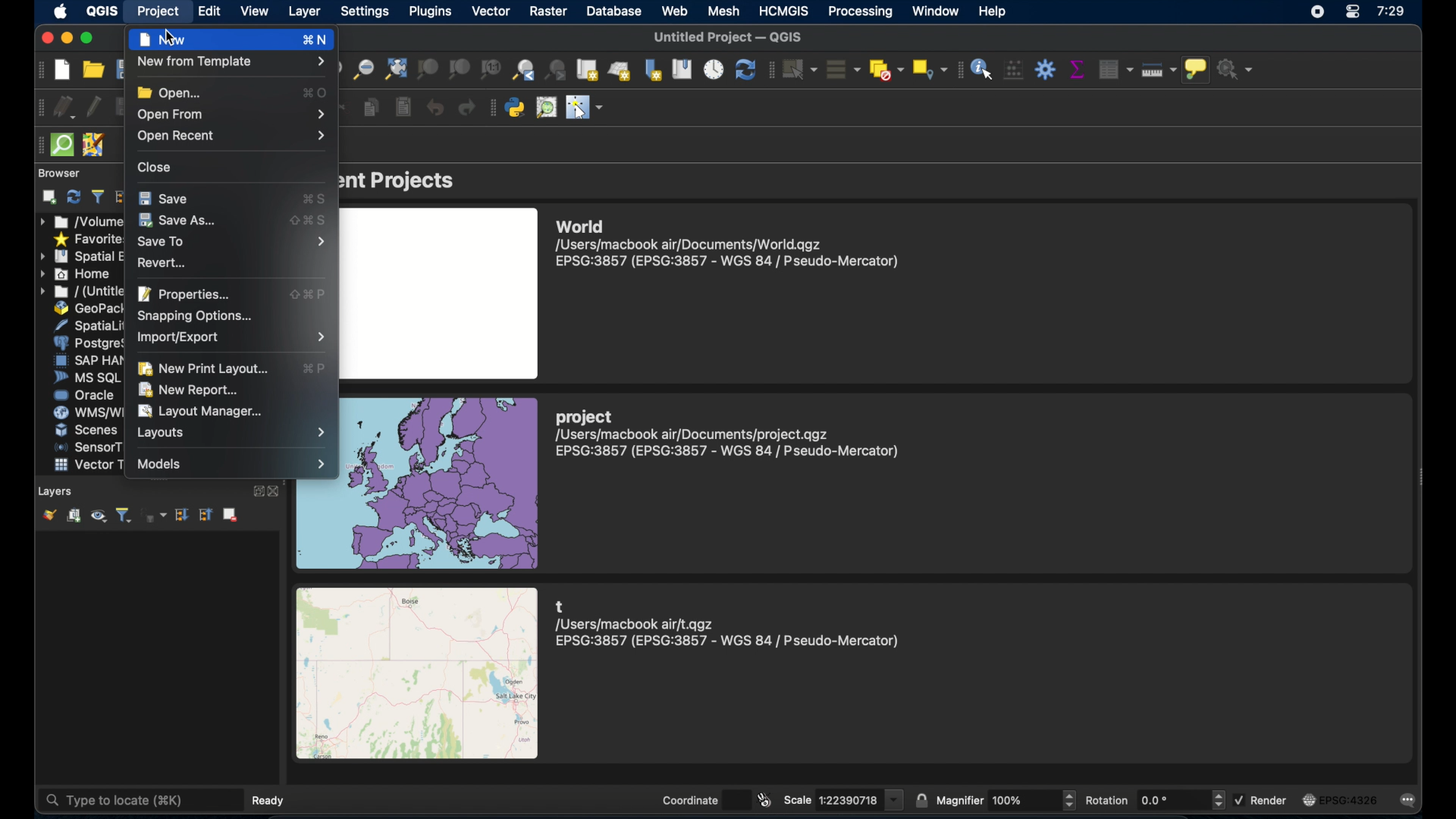  I want to click on undo, so click(435, 105).